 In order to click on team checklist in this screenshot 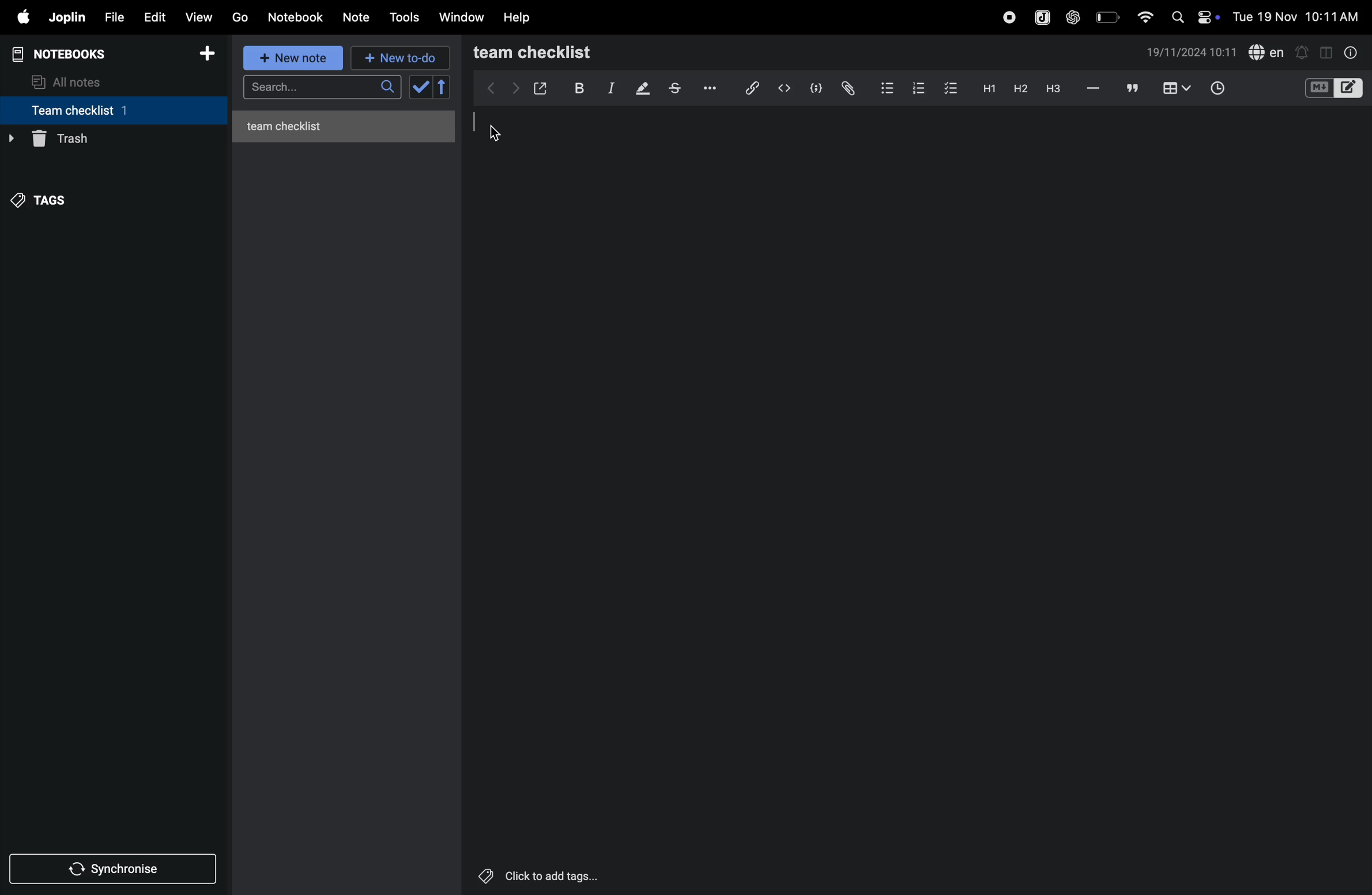, I will do `click(557, 52)`.